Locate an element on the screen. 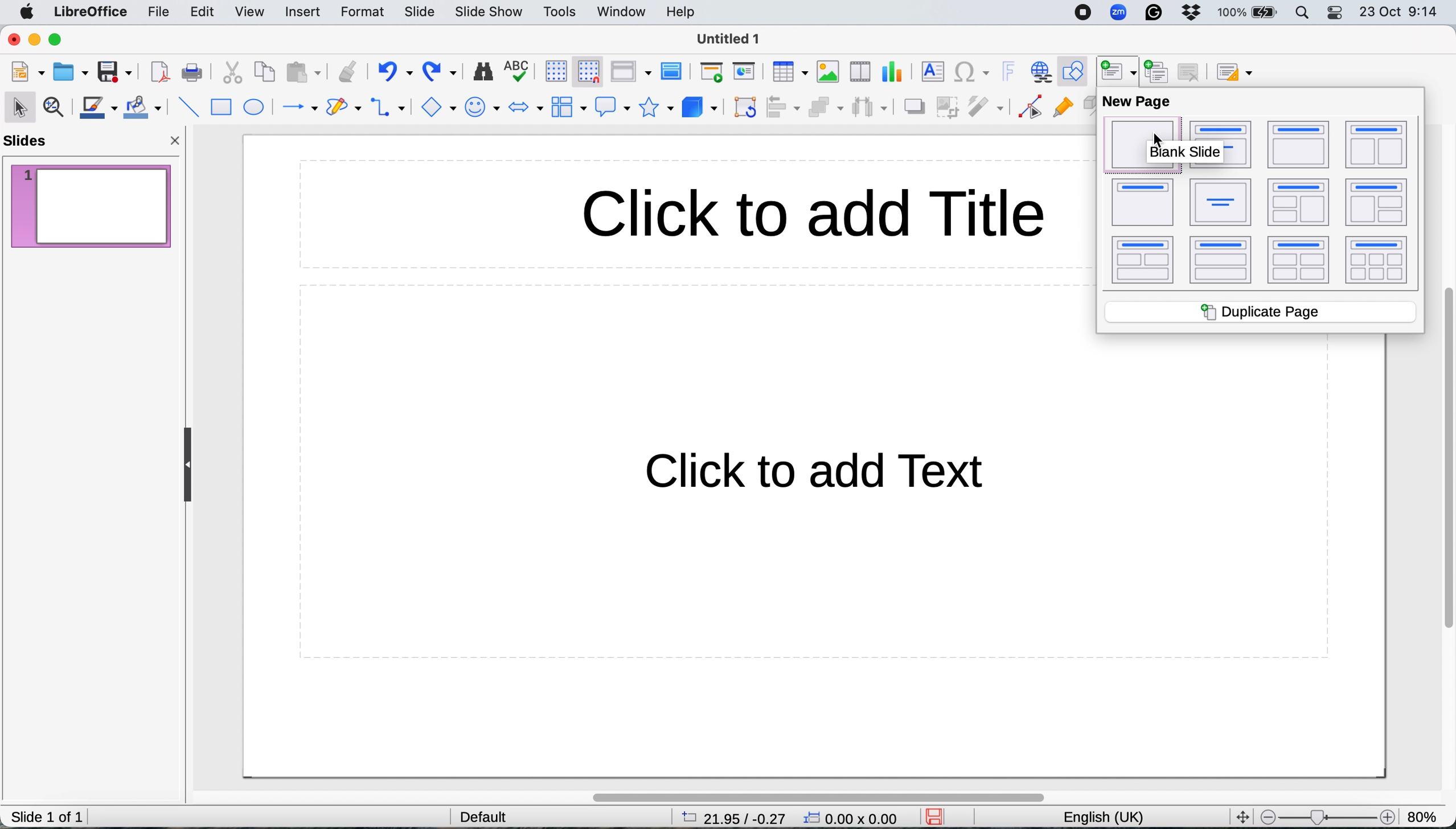 This screenshot has width=1456, height=829. edit is located at coordinates (205, 13).